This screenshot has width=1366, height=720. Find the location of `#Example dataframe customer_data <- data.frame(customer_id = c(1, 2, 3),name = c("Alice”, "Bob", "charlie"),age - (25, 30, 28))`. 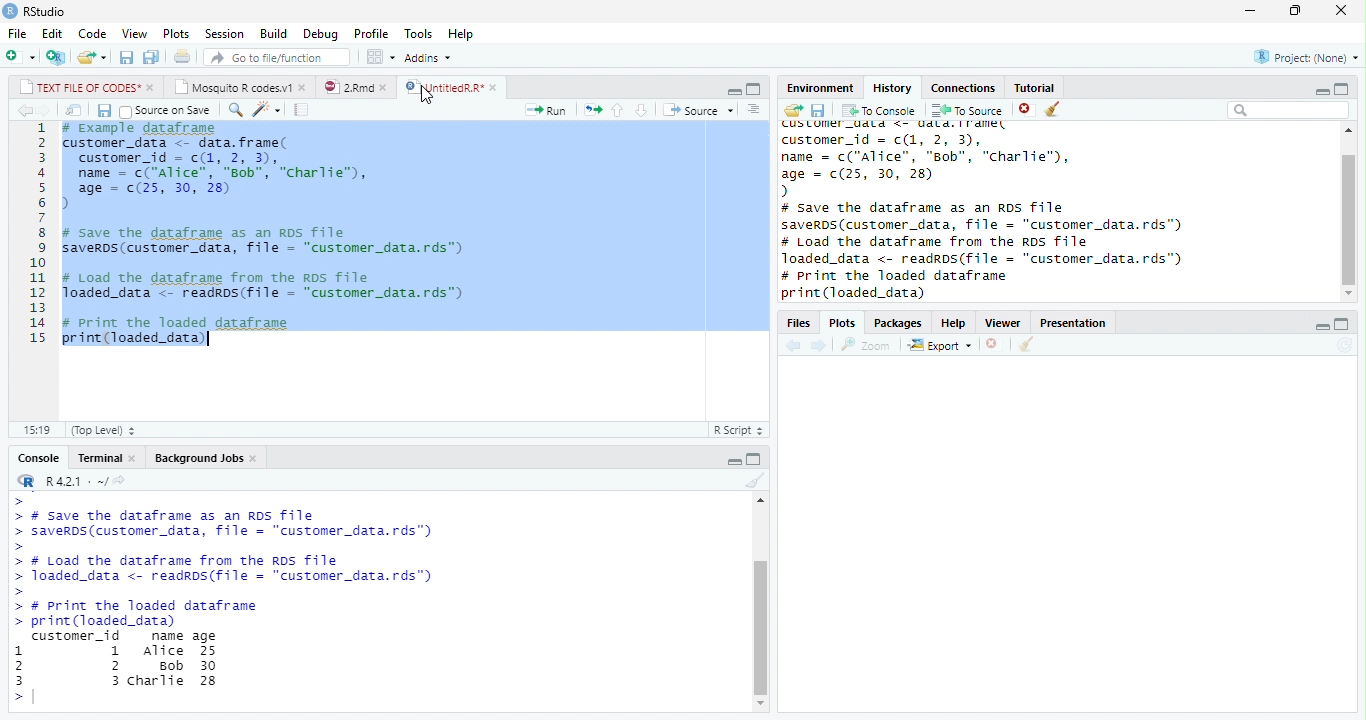

#Example dataframe customer_data <- data.frame(customer_id = c(1, 2, 3),name = c("Alice”, "Bob", "charlie"),age - (25, 30, 28)) is located at coordinates (223, 167).